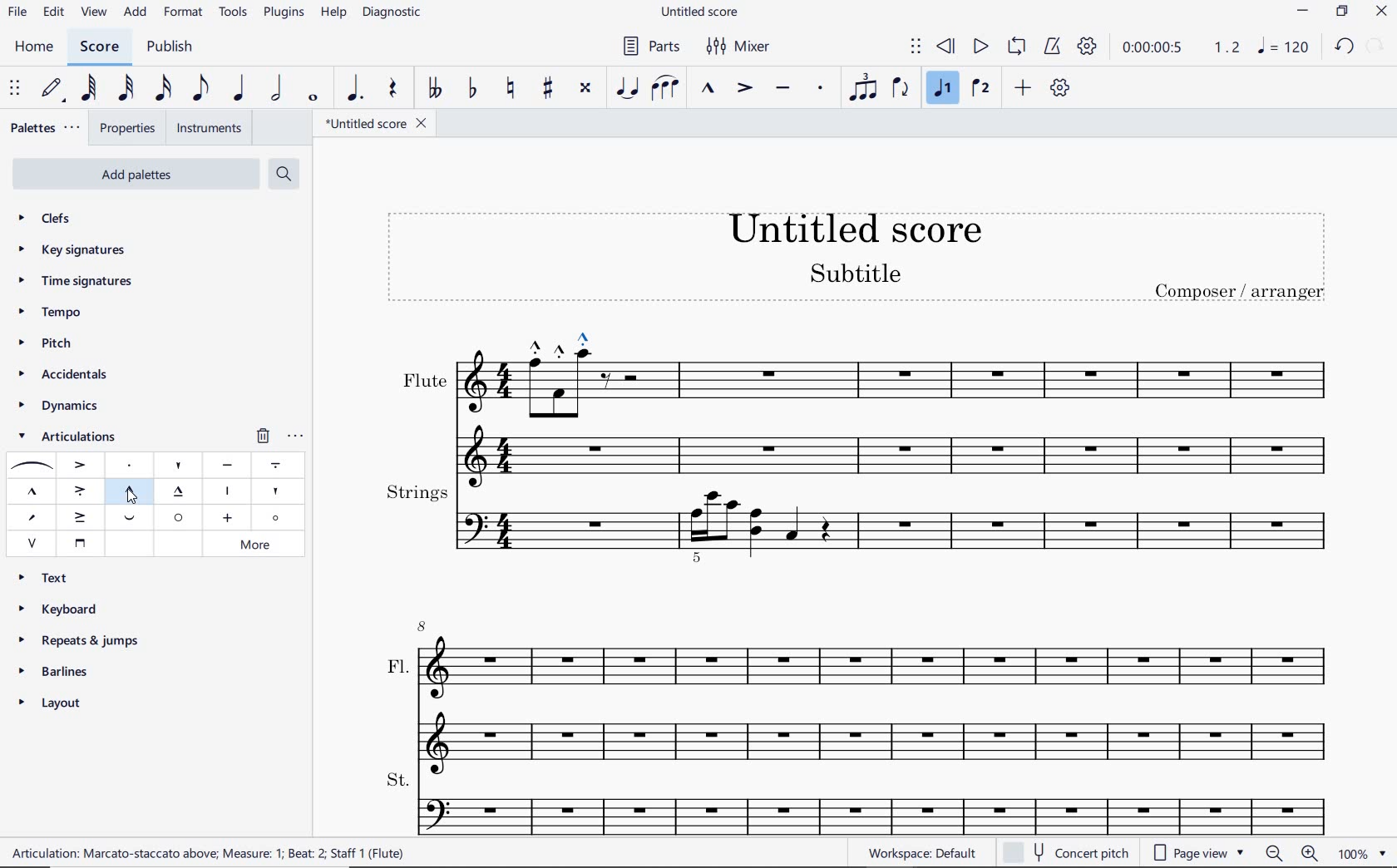 This screenshot has width=1397, height=868. What do you see at coordinates (50, 89) in the screenshot?
I see `DEFAULT (STEP TIME)` at bounding box center [50, 89].